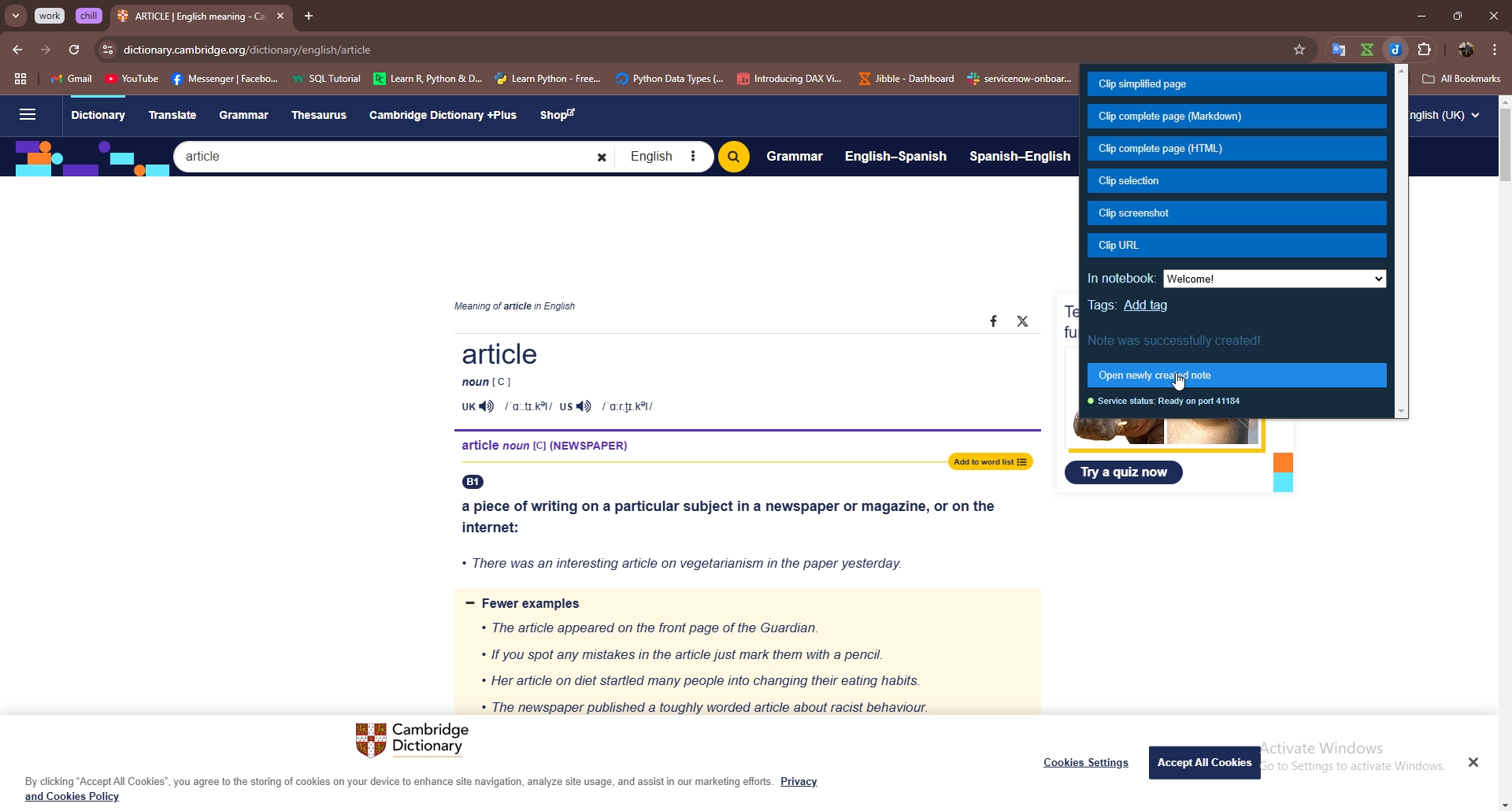 This screenshot has height=811, width=1512. I want to click on clip complete page (markdown), so click(1236, 117).